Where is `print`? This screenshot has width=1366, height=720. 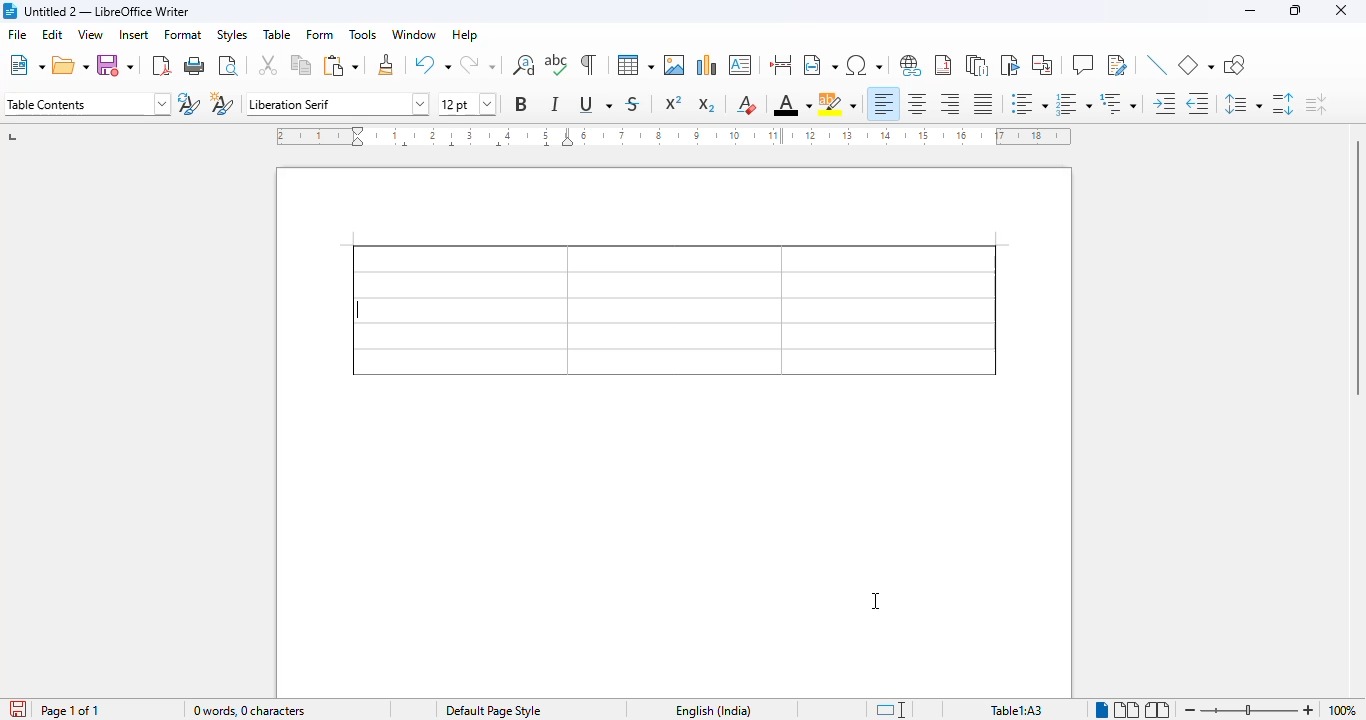 print is located at coordinates (196, 66).